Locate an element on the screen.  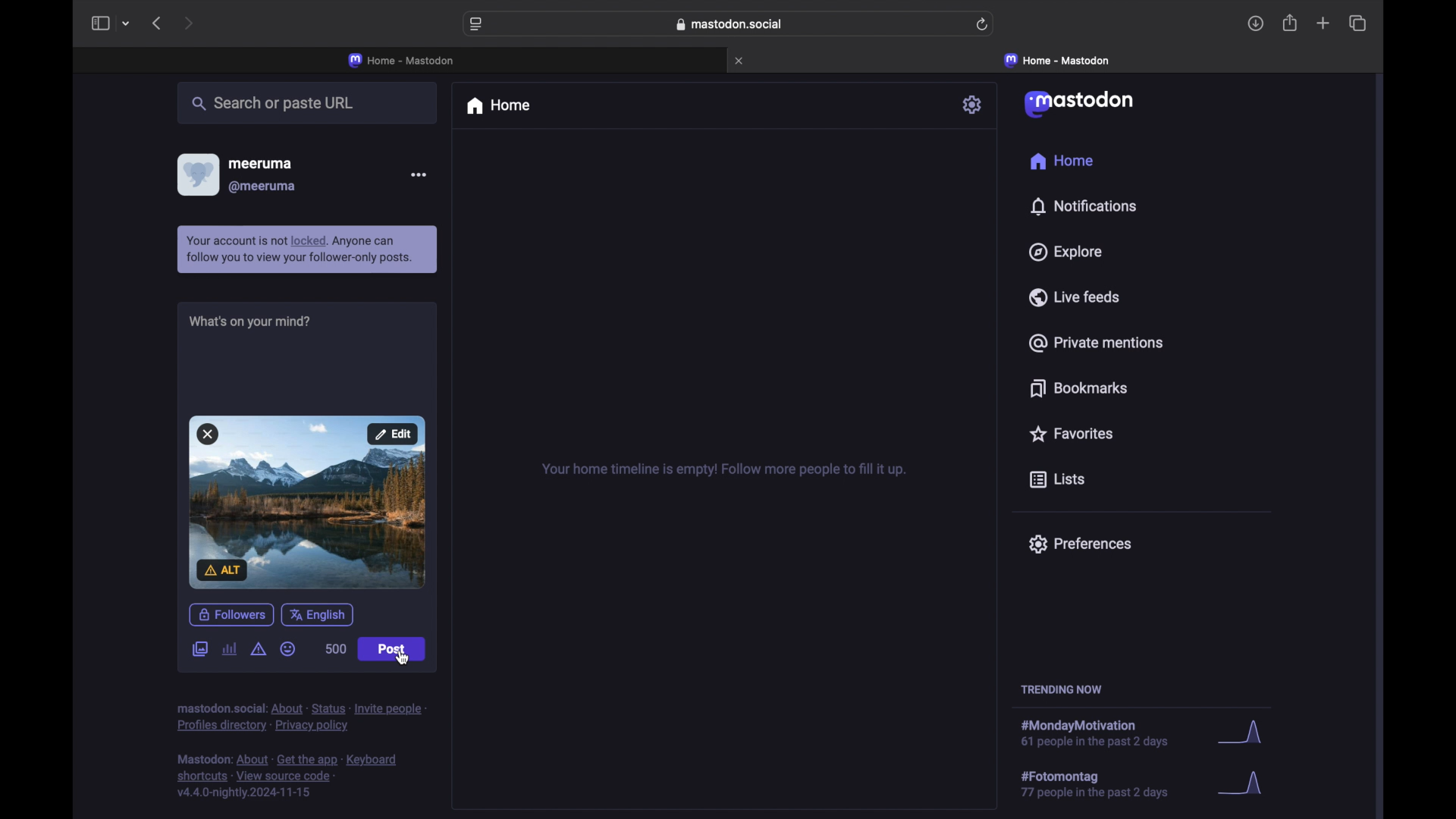
tab group picker is located at coordinates (128, 24).